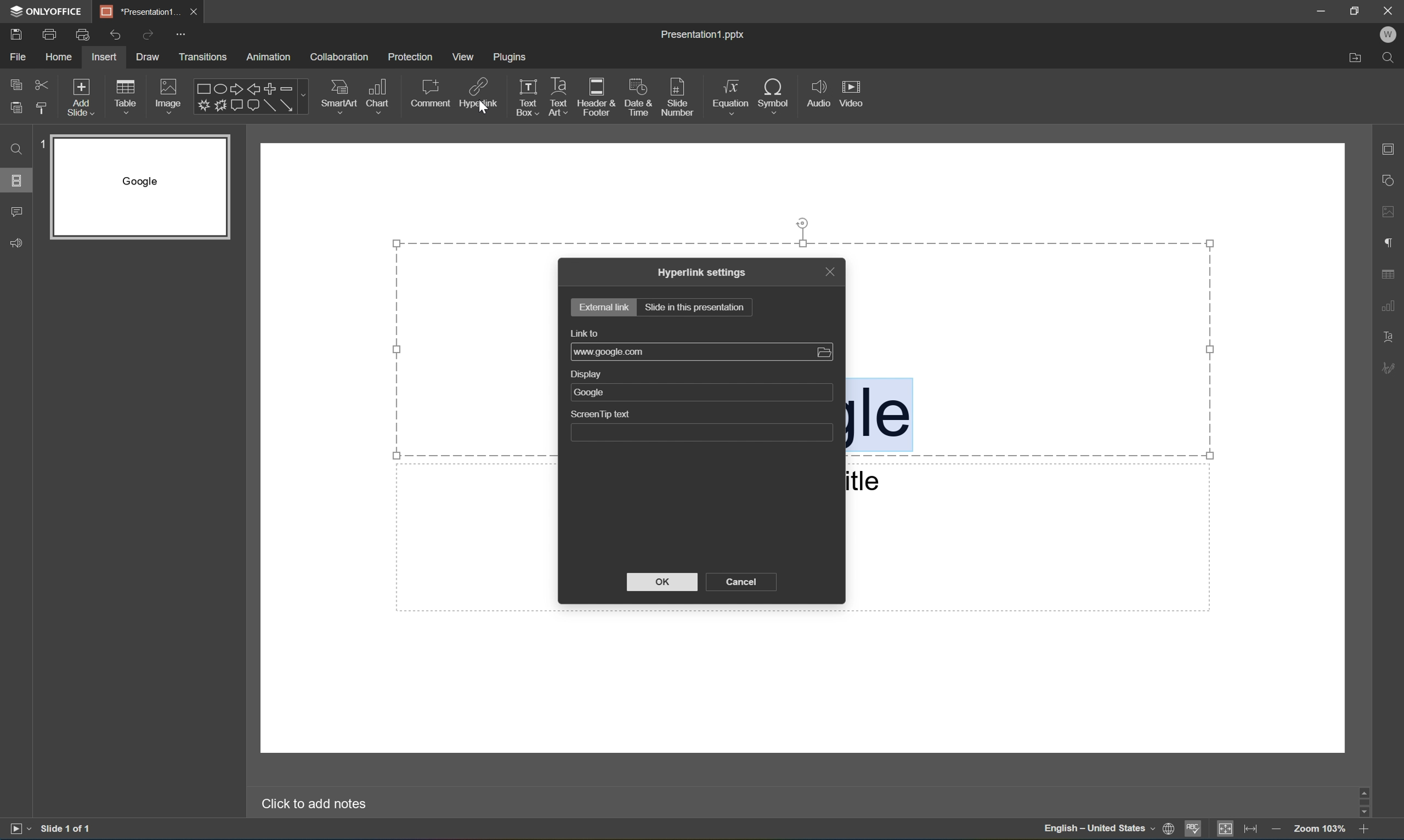  What do you see at coordinates (22, 55) in the screenshot?
I see `File` at bounding box center [22, 55].